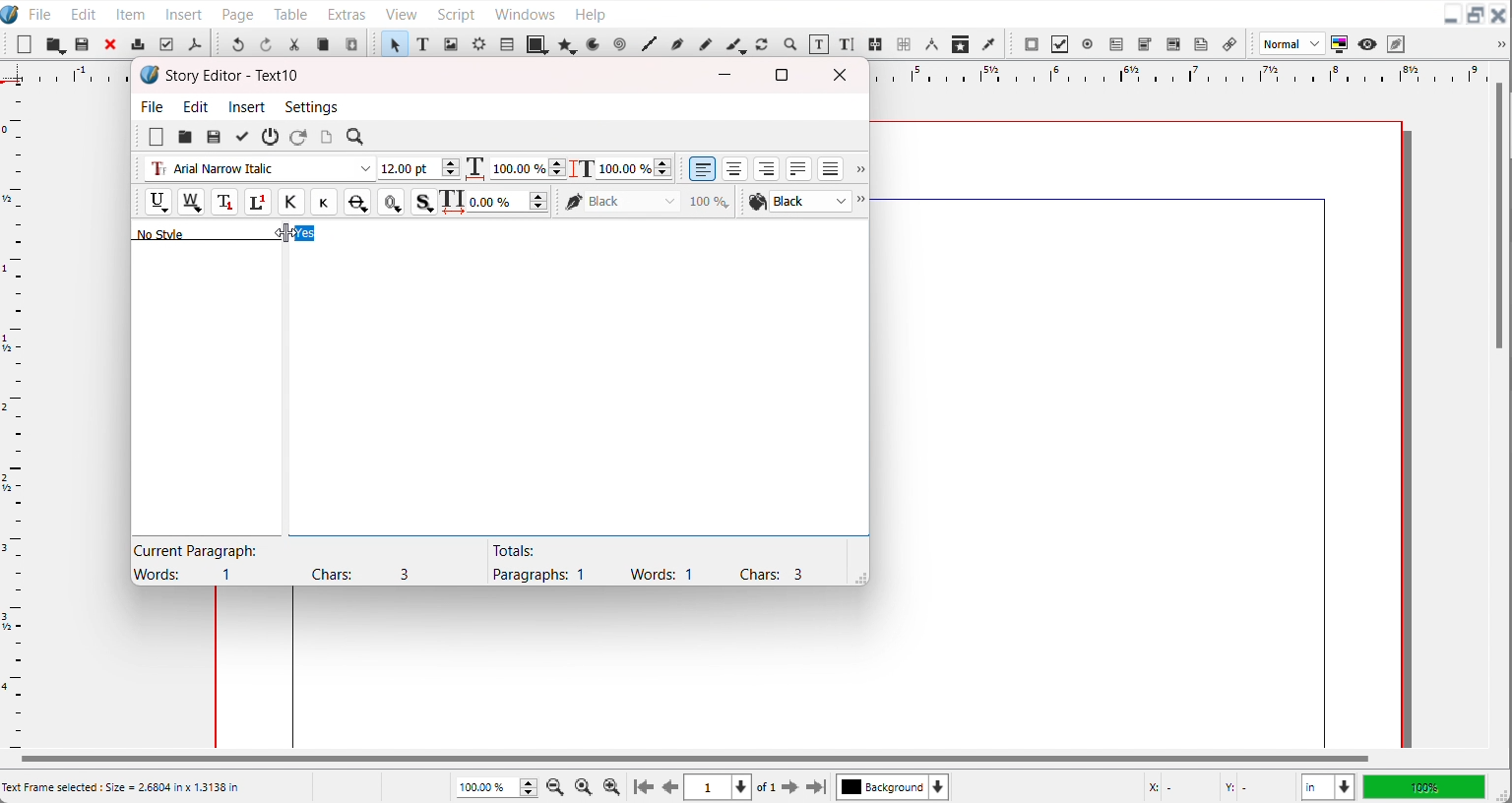  What do you see at coordinates (241, 137) in the screenshot?
I see `Update` at bounding box center [241, 137].